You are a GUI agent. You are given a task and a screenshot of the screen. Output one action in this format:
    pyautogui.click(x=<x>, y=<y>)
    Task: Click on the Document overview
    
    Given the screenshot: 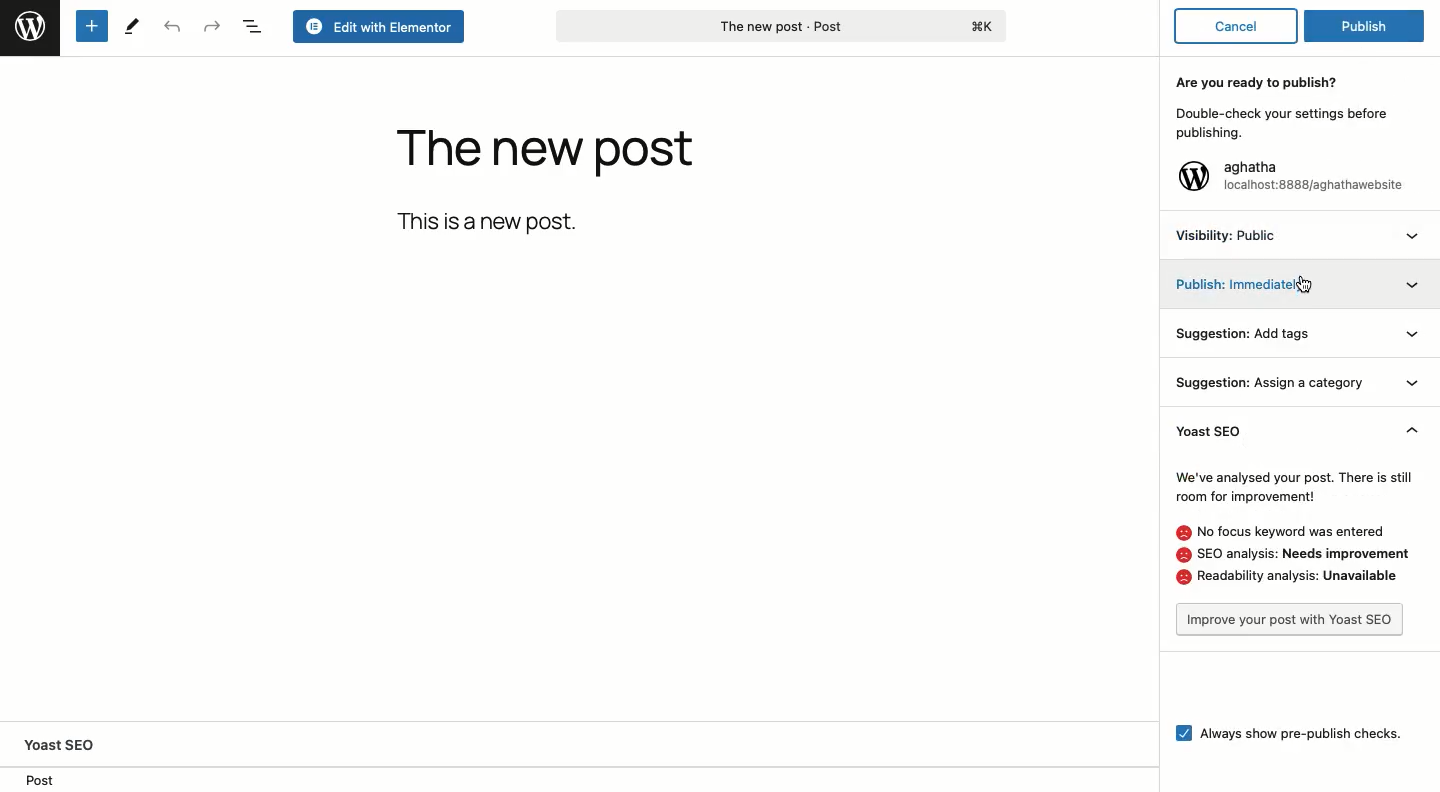 What is the action you would take?
    pyautogui.click(x=255, y=26)
    